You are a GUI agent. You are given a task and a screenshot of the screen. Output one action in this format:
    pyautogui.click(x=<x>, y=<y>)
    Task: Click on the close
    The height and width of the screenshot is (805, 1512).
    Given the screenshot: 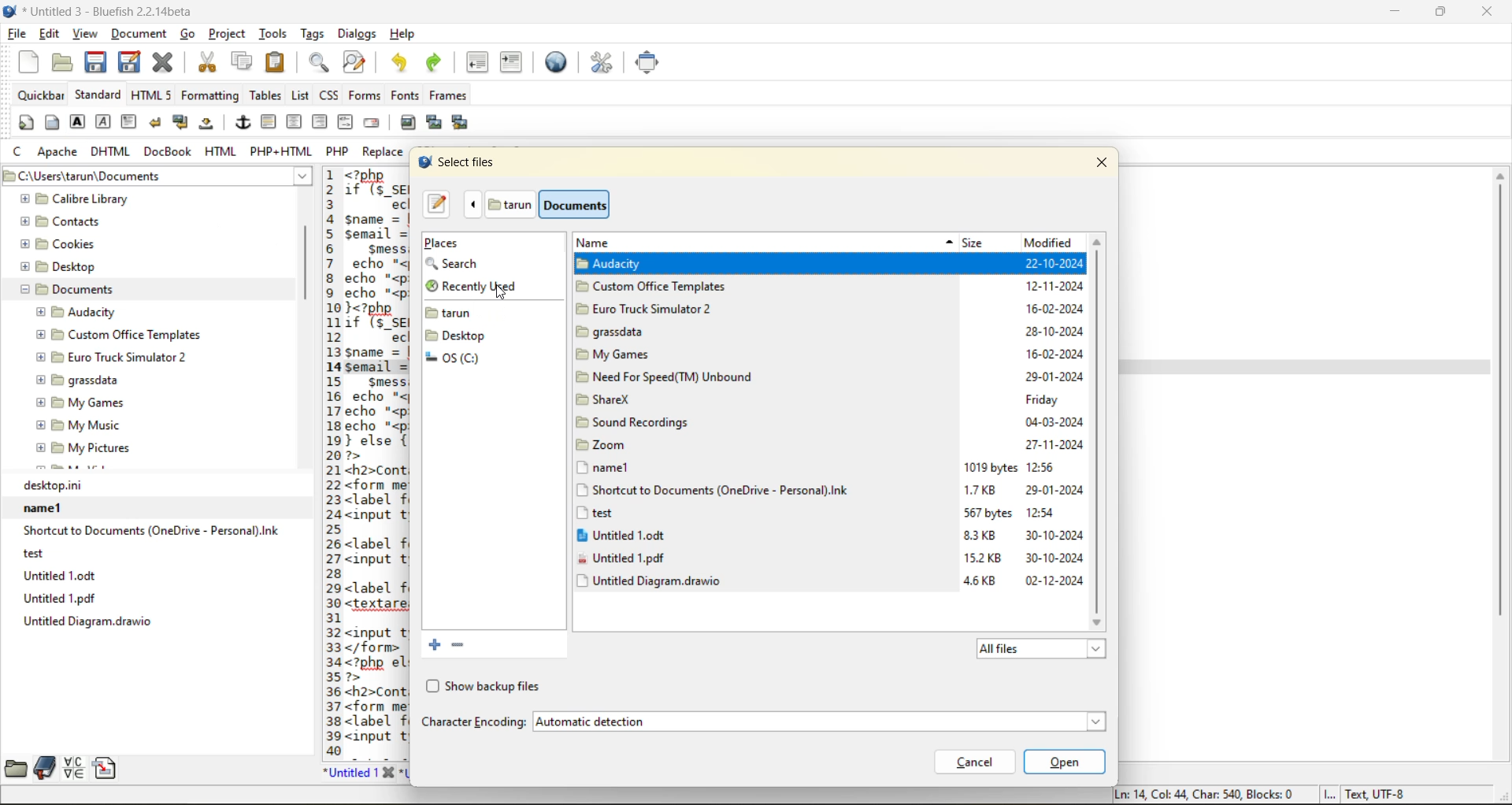 What is the action you would take?
    pyautogui.click(x=1492, y=13)
    